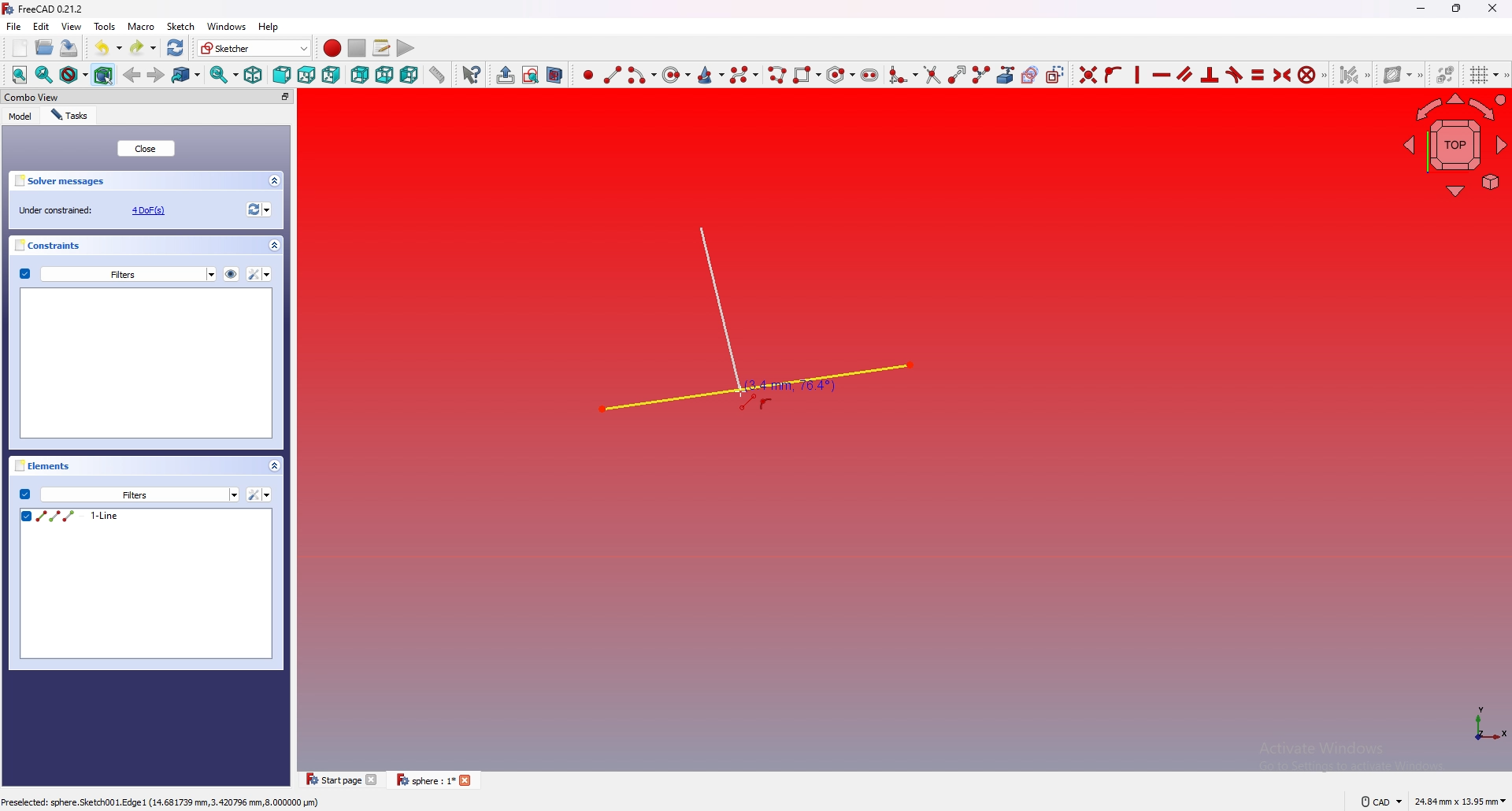  I want to click on Fit selection, so click(43, 76).